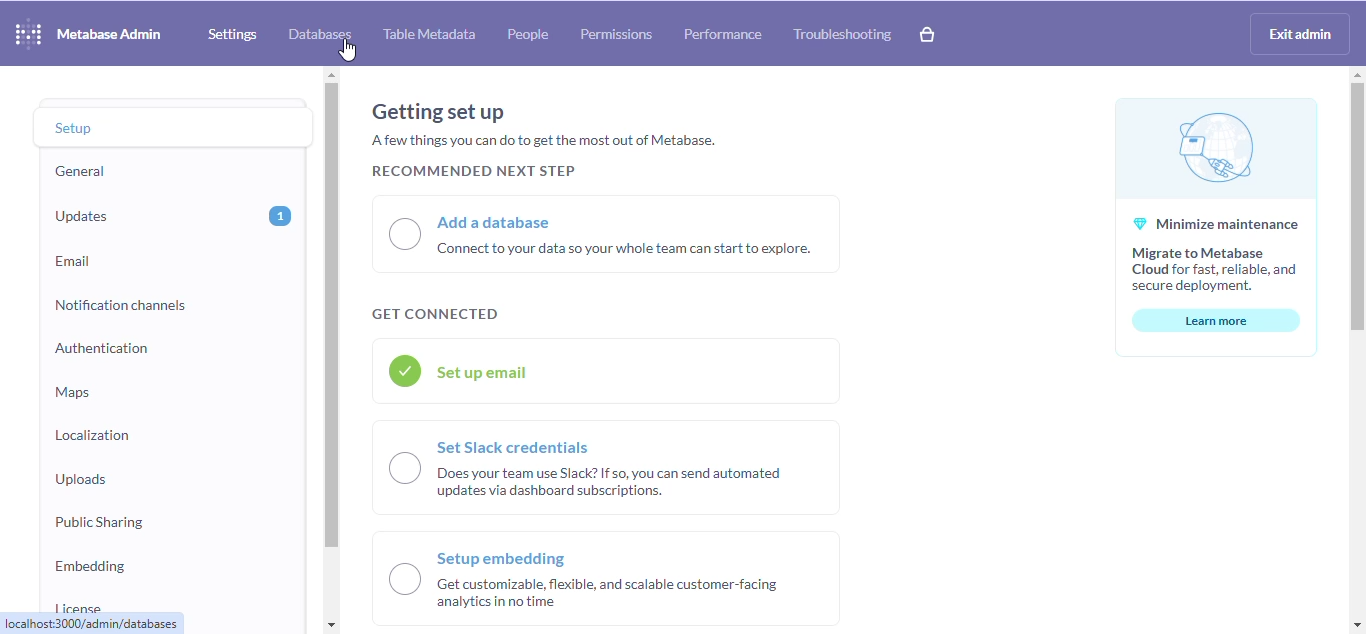 The height and width of the screenshot is (634, 1366). What do you see at coordinates (101, 348) in the screenshot?
I see `authentication` at bounding box center [101, 348].